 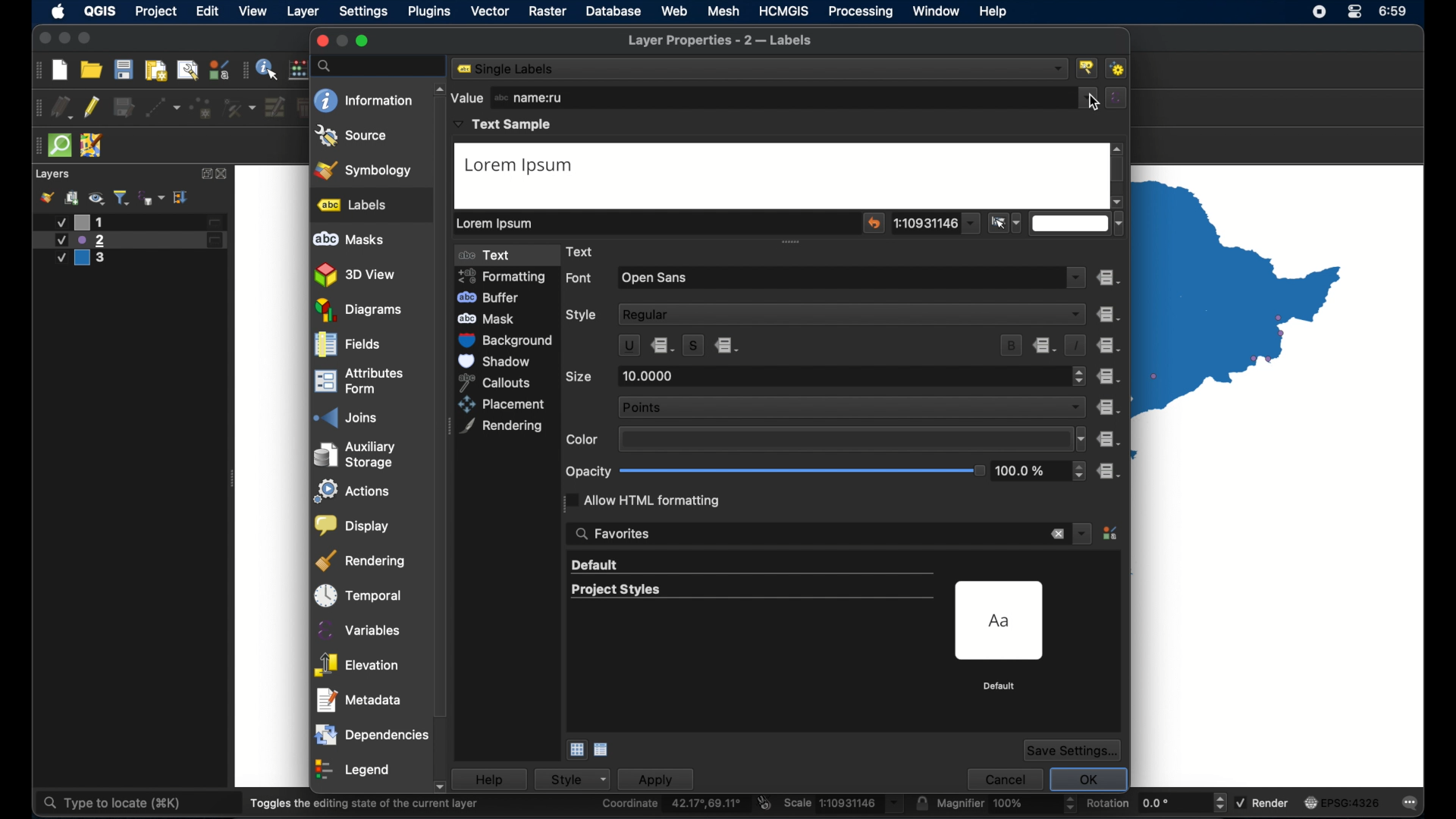 I want to click on ok, so click(x=1088, y=776).